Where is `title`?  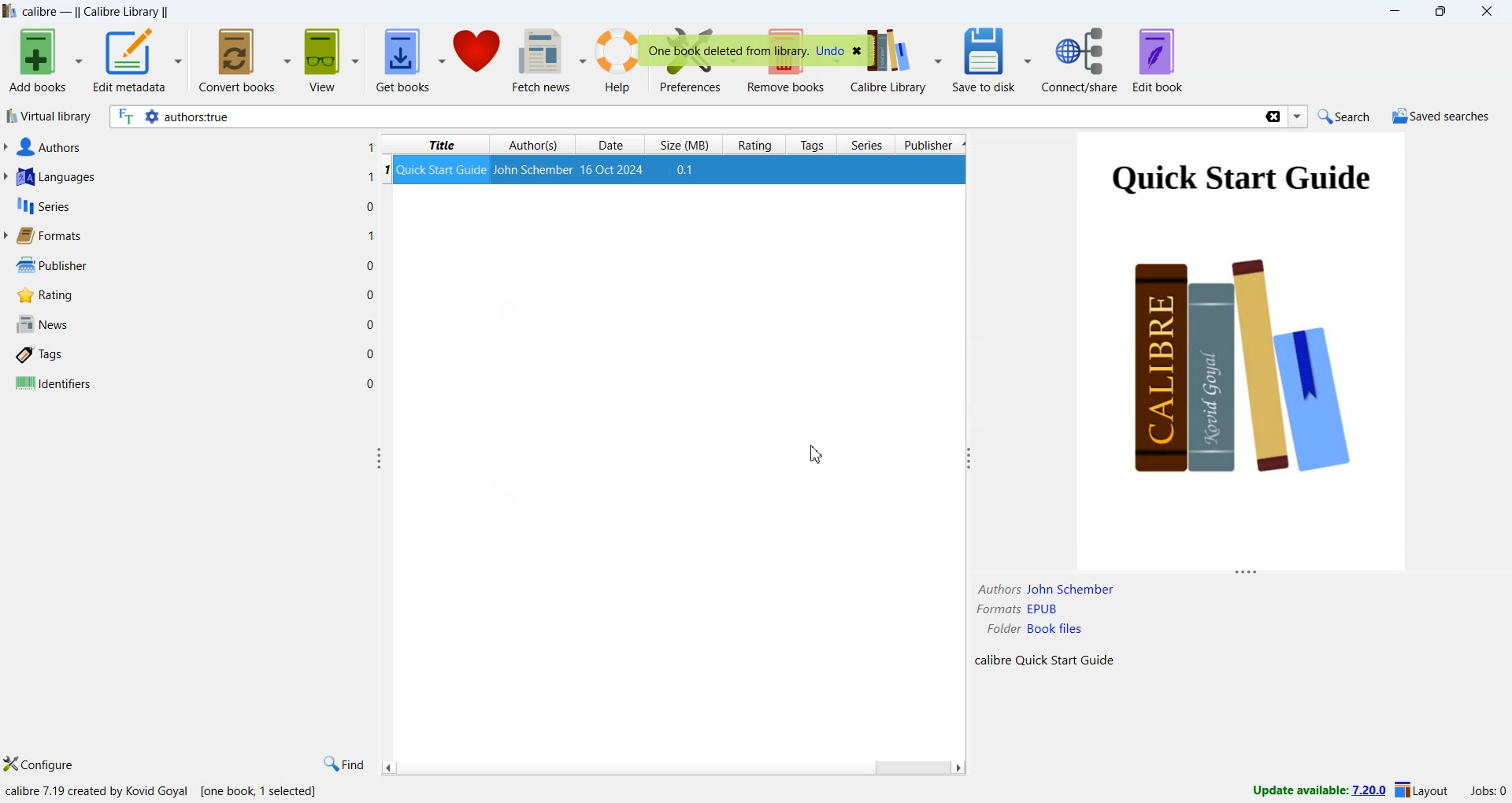 title is located at coordinates (442, 145).